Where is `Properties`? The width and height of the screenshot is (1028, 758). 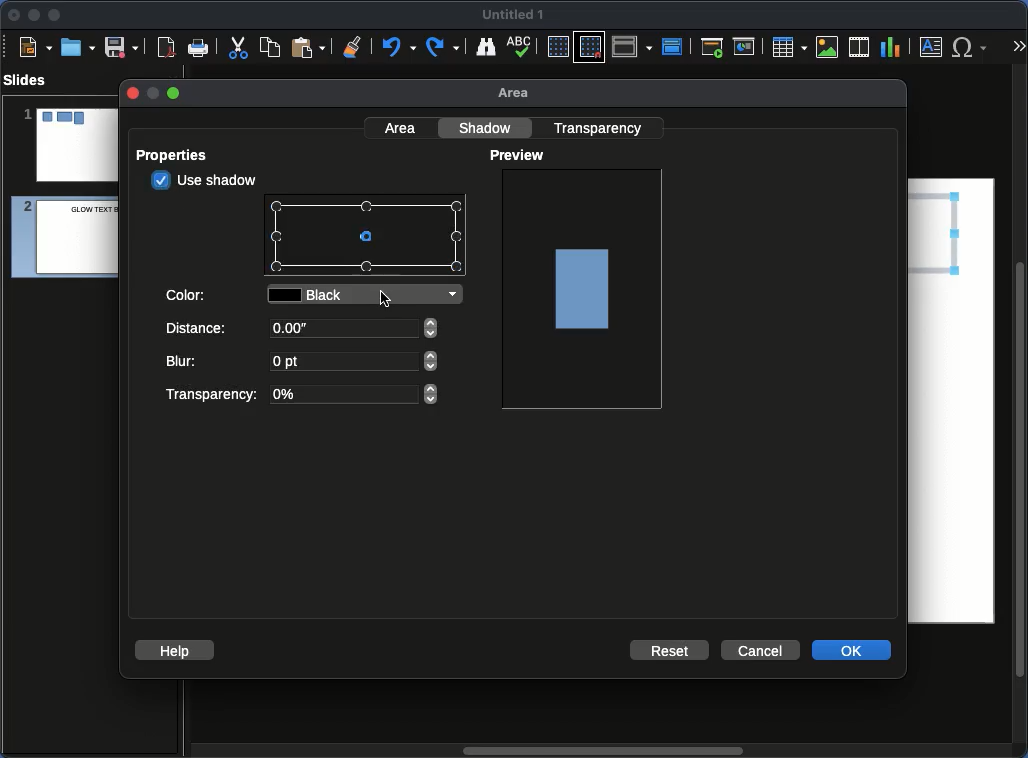 Properties is located at coordinates (178, 155).